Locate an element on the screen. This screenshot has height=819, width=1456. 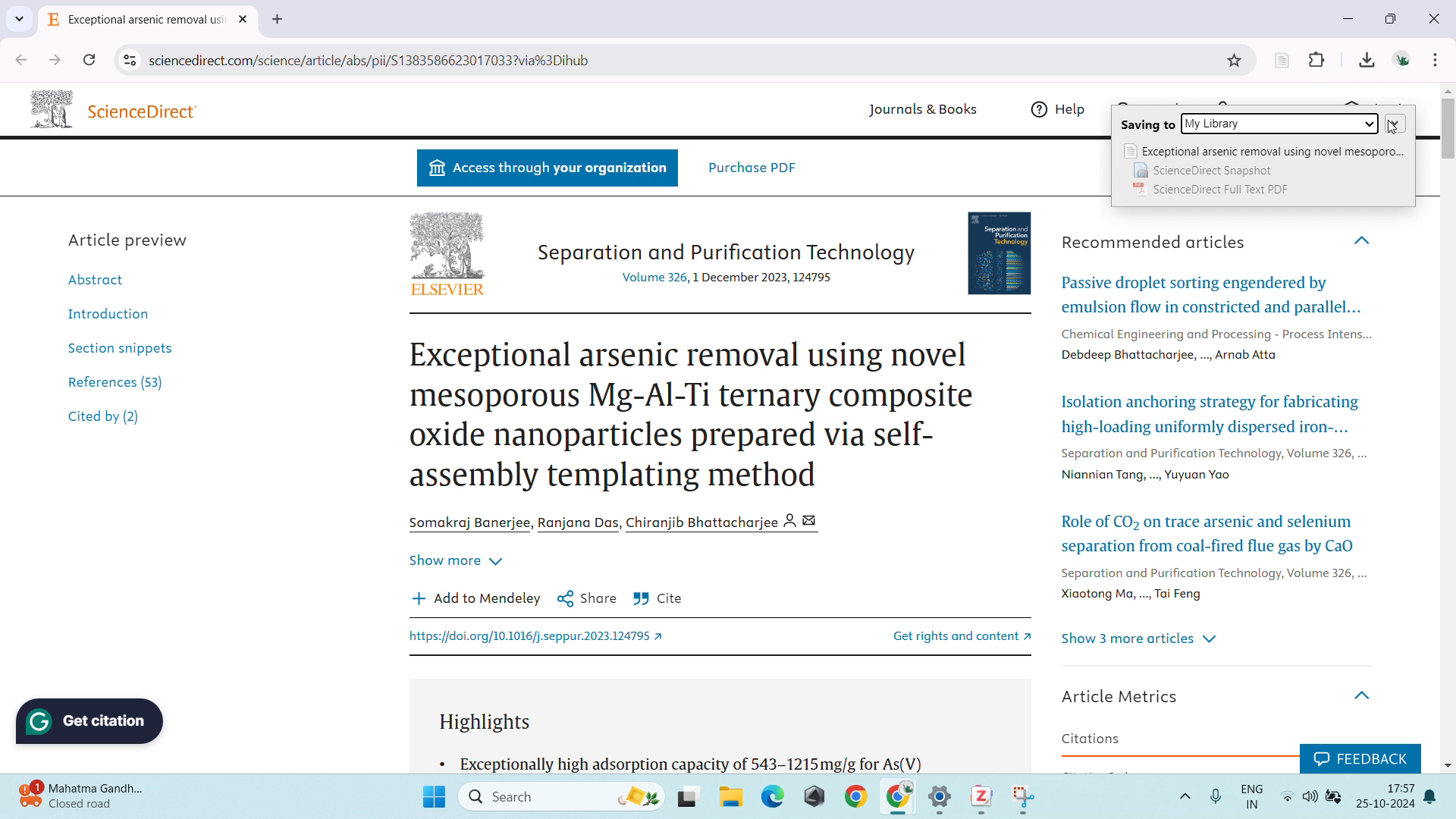
Recommended articles is located at coordinates (1154, 242).